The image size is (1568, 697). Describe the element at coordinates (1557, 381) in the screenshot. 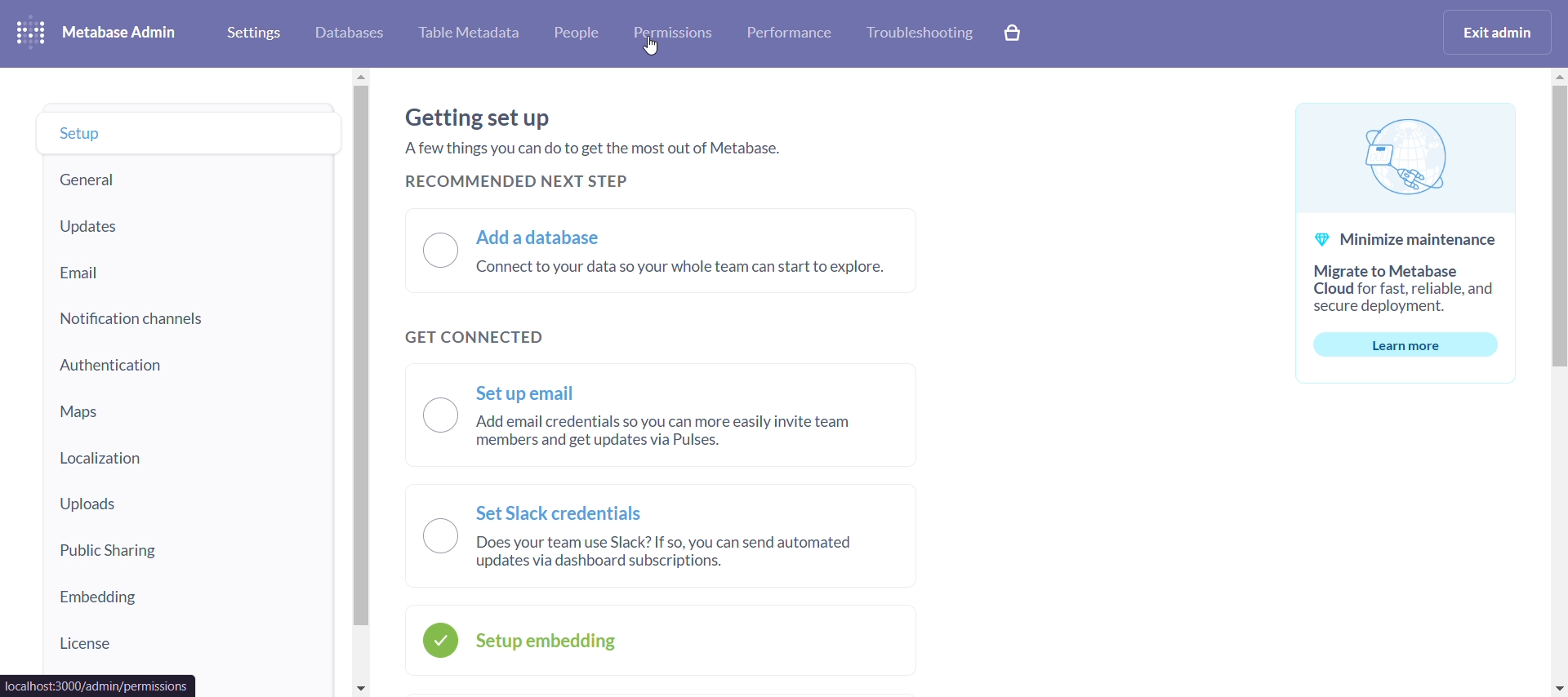

I see `vertical scroll bar` at that location.